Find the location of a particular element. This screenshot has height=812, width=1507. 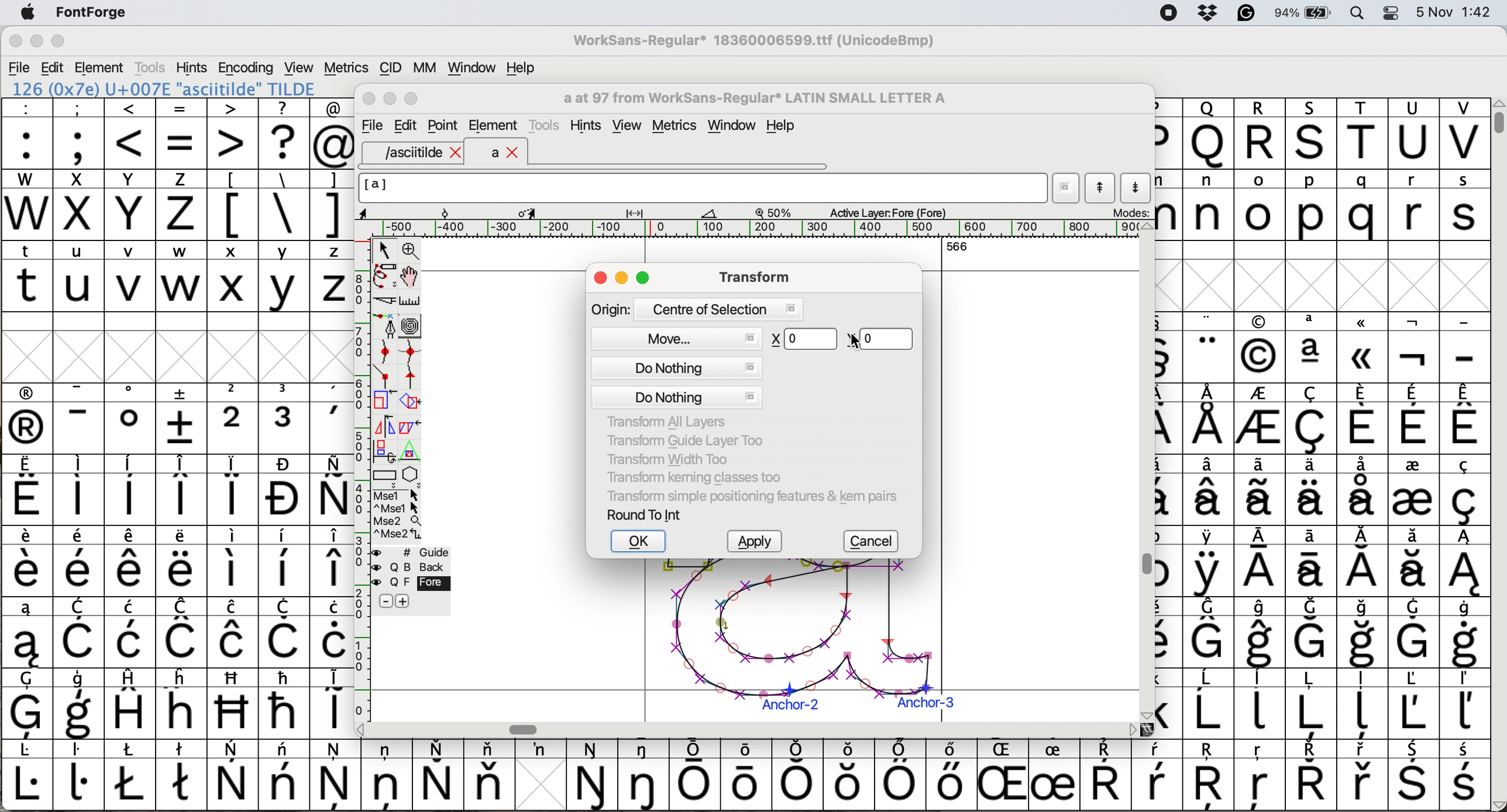

t is located at coordinates (27, 275).